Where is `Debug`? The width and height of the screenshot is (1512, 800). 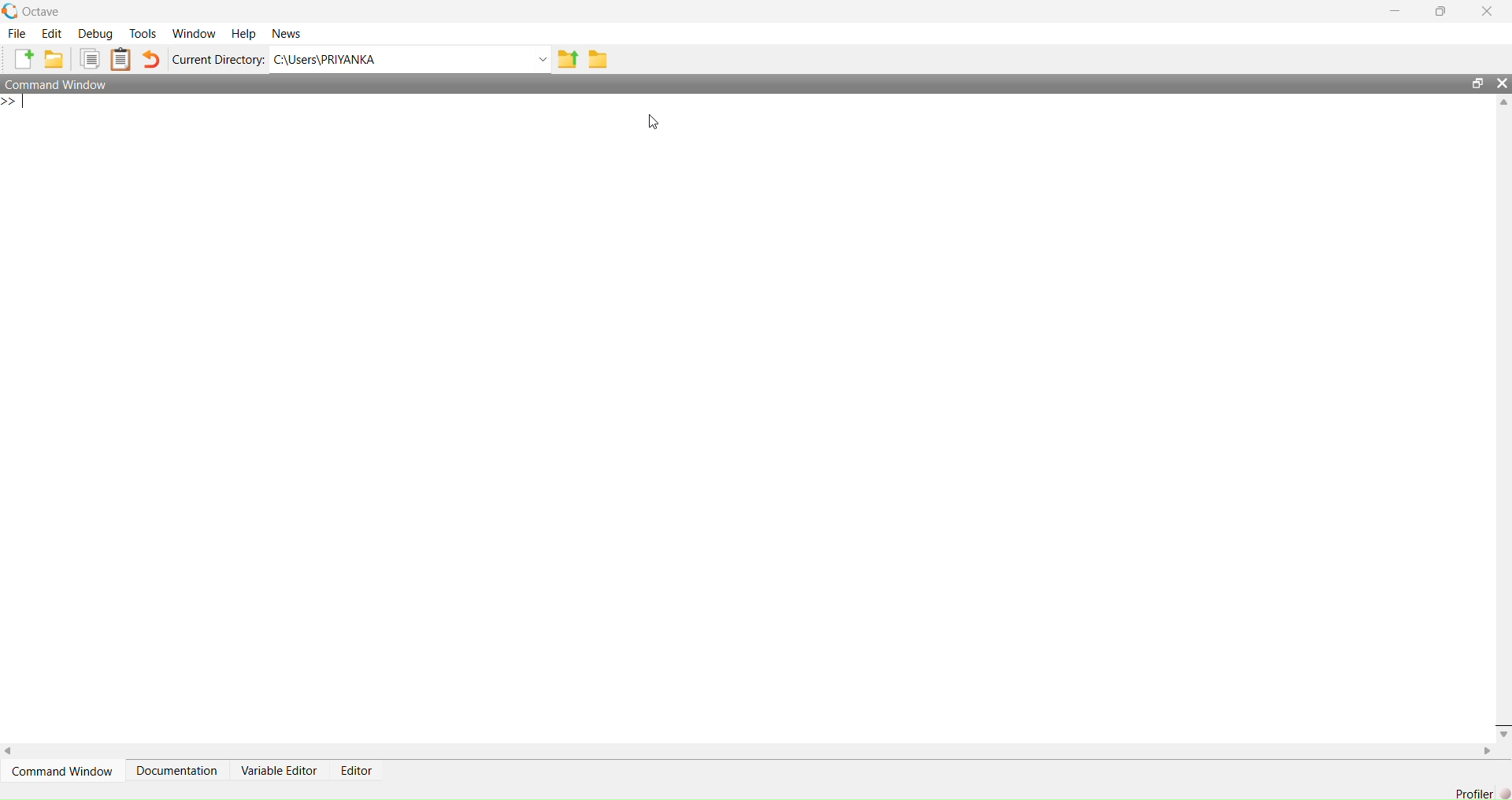 Debug is located at coordinates (98, 35).